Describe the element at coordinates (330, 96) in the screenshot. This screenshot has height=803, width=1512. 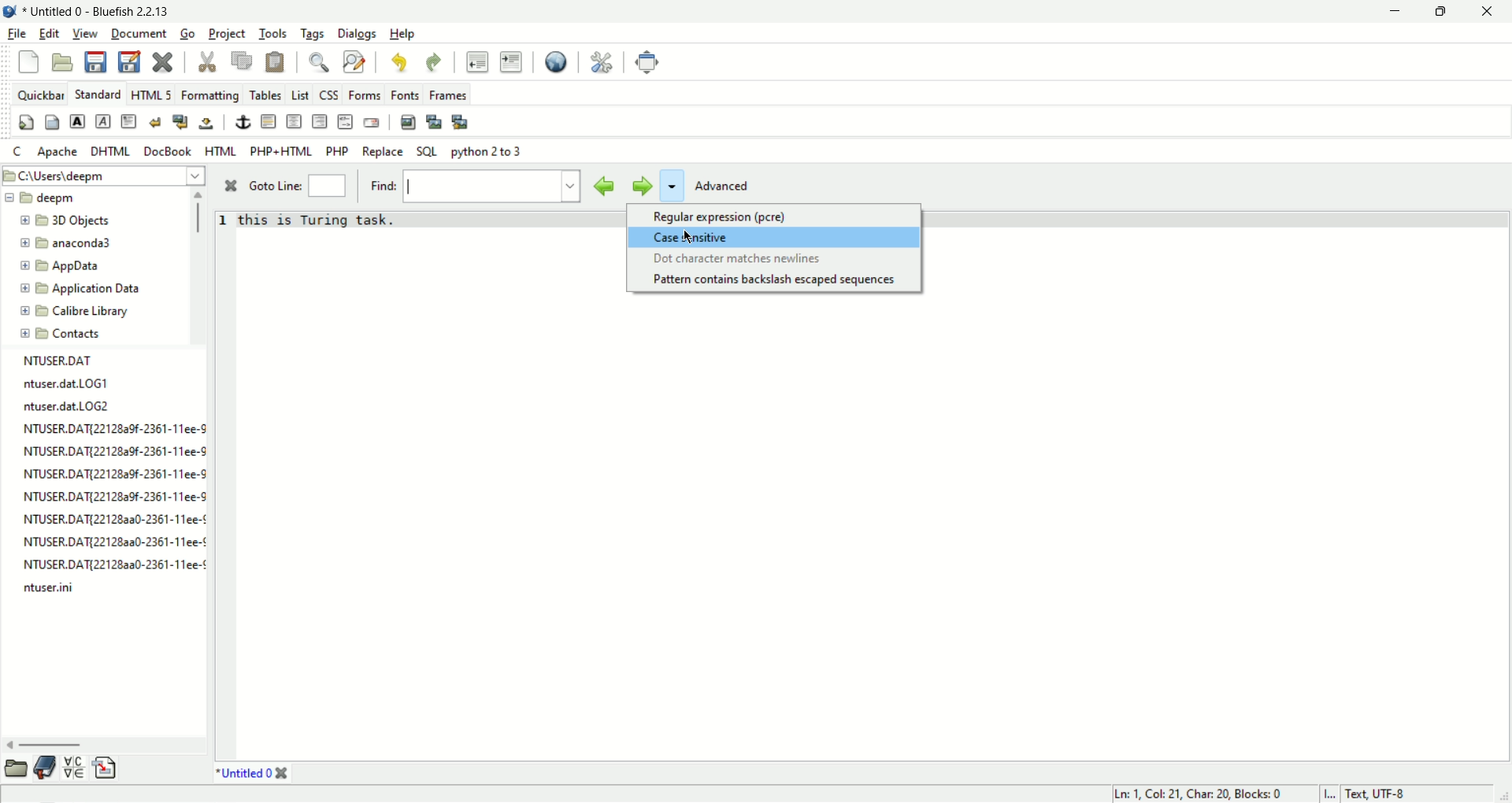
I see `CSS` at that location.